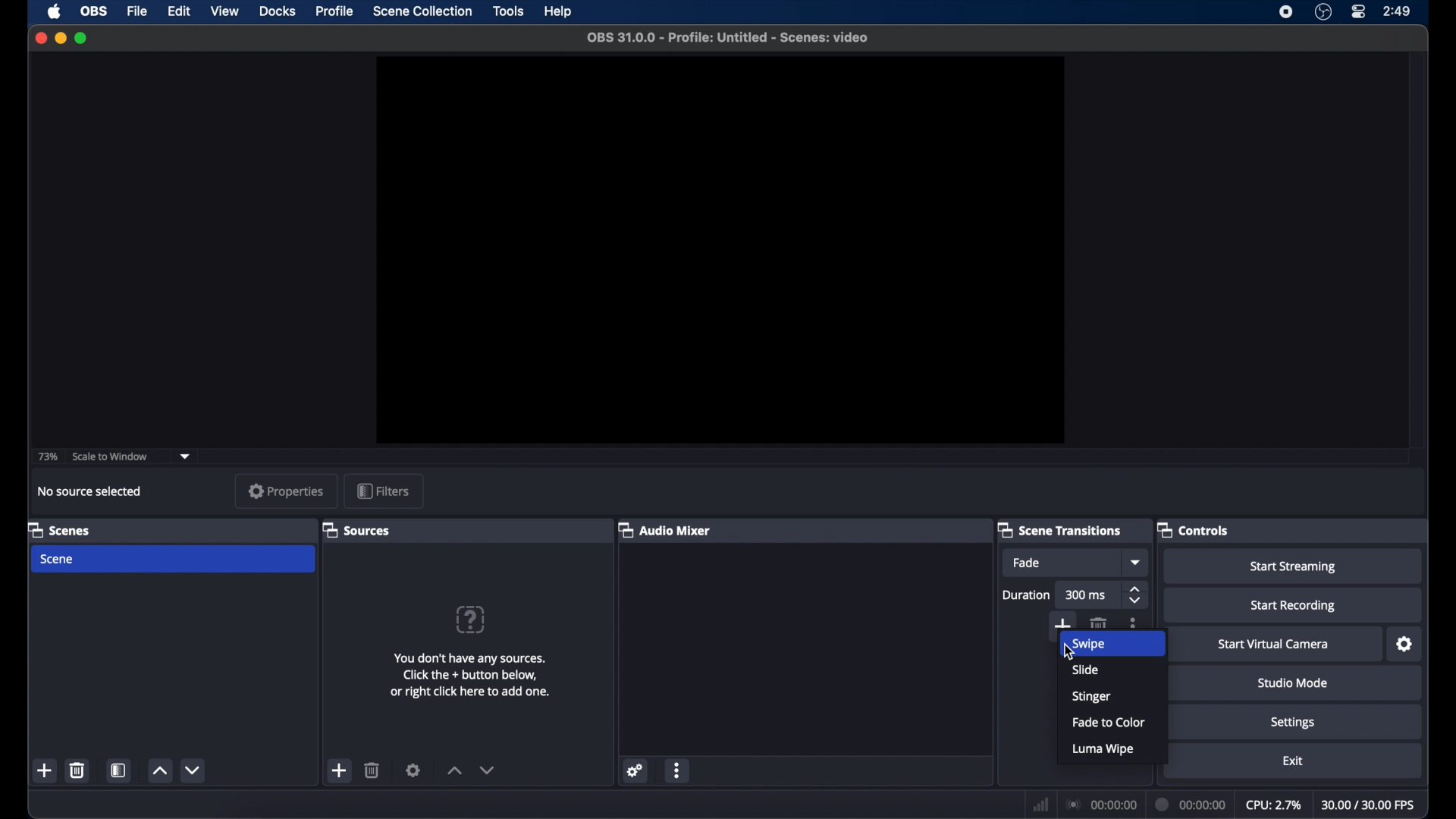  I want to click on cpu, so click(1272, 805).